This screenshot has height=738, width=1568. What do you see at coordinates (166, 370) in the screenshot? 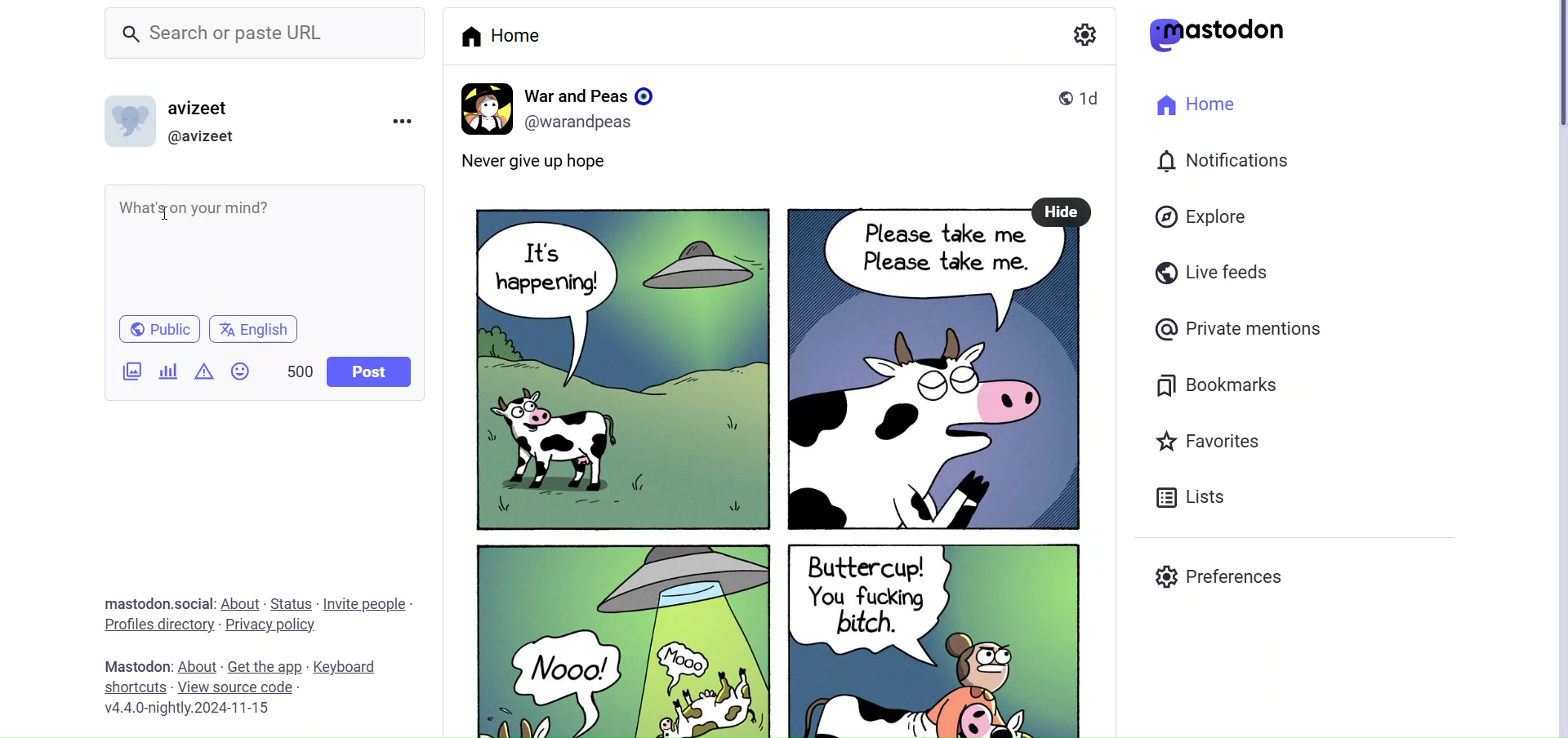
I see `Post Poll` at bounding box center [166, 370].